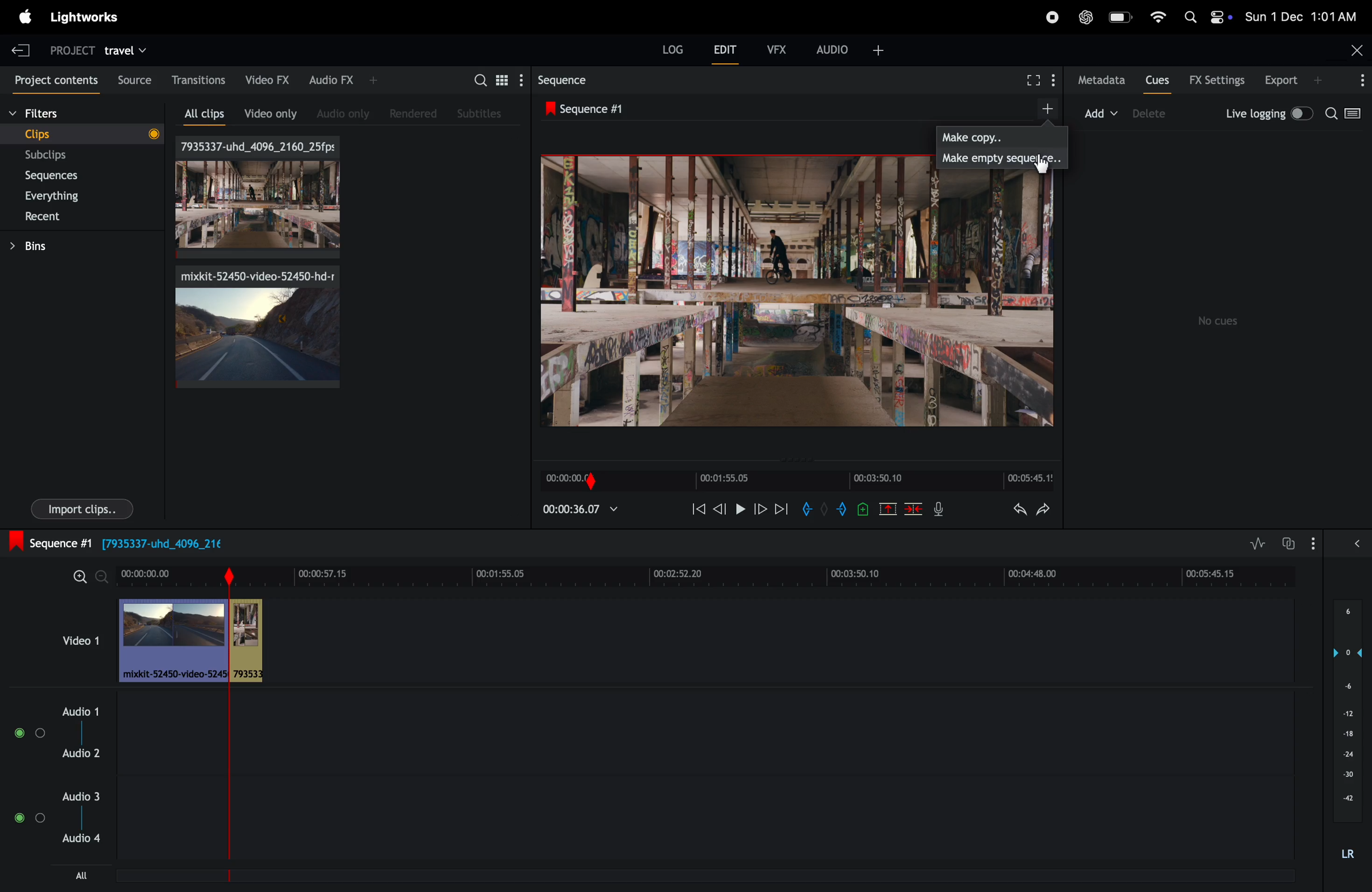 This screenshot has width=1372, height=892. I want to click on video fx, so click(268, 78).